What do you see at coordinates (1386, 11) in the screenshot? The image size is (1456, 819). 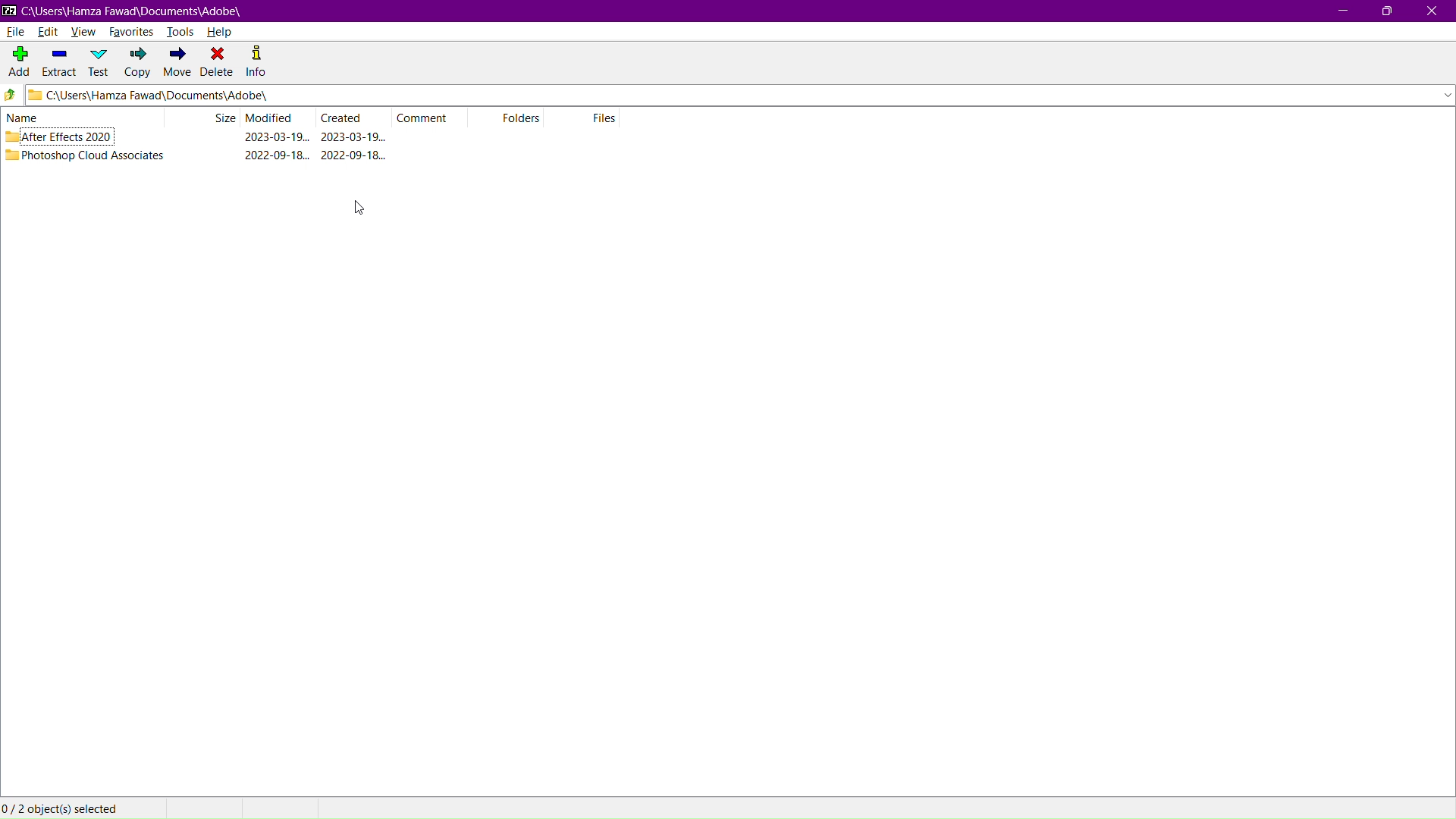 I see `Maximize` at bounding box center [1386, 11].